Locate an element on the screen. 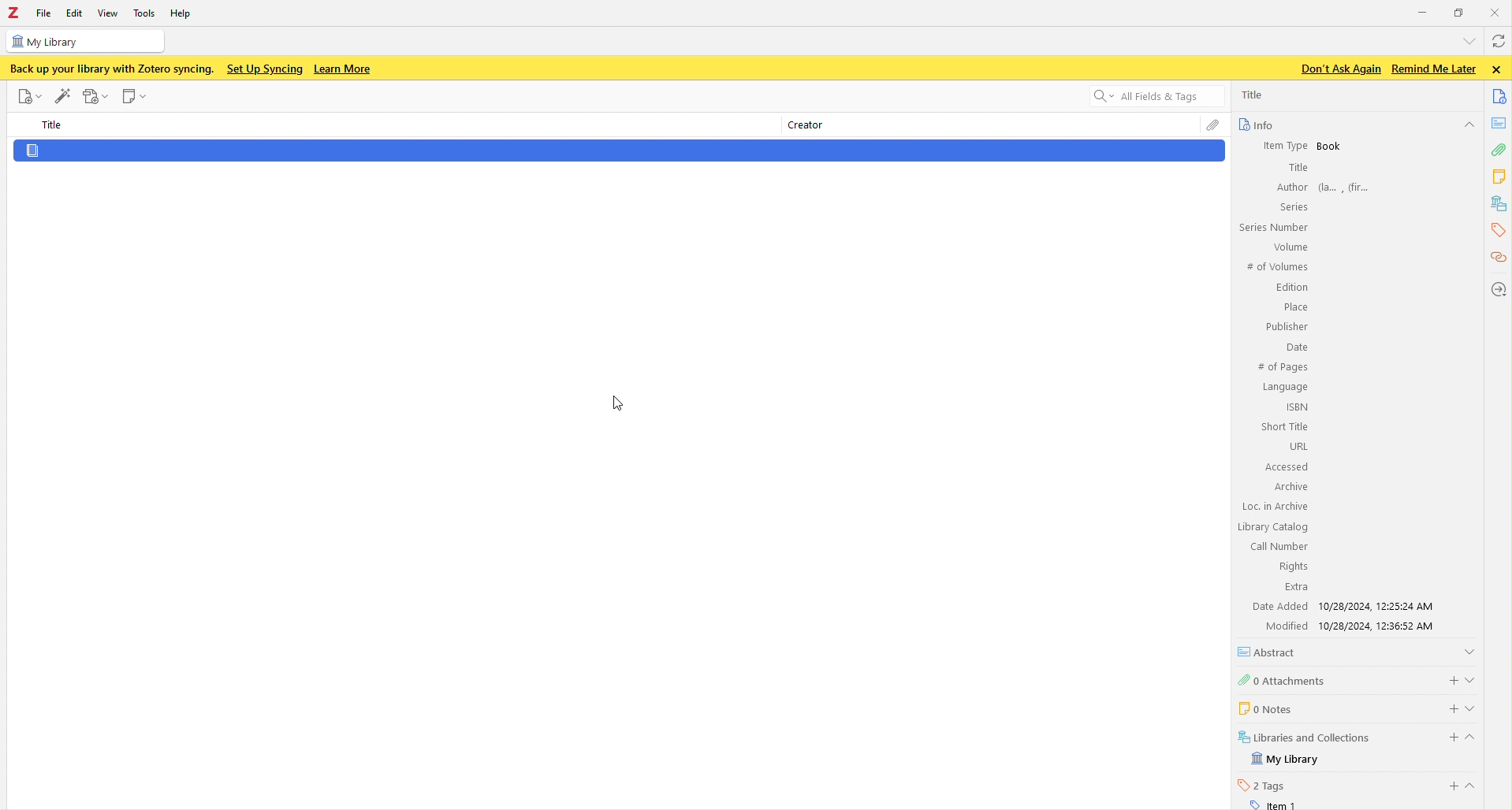 This screenshot has height=810, width=1512. record is located at coordinates (96, 96).